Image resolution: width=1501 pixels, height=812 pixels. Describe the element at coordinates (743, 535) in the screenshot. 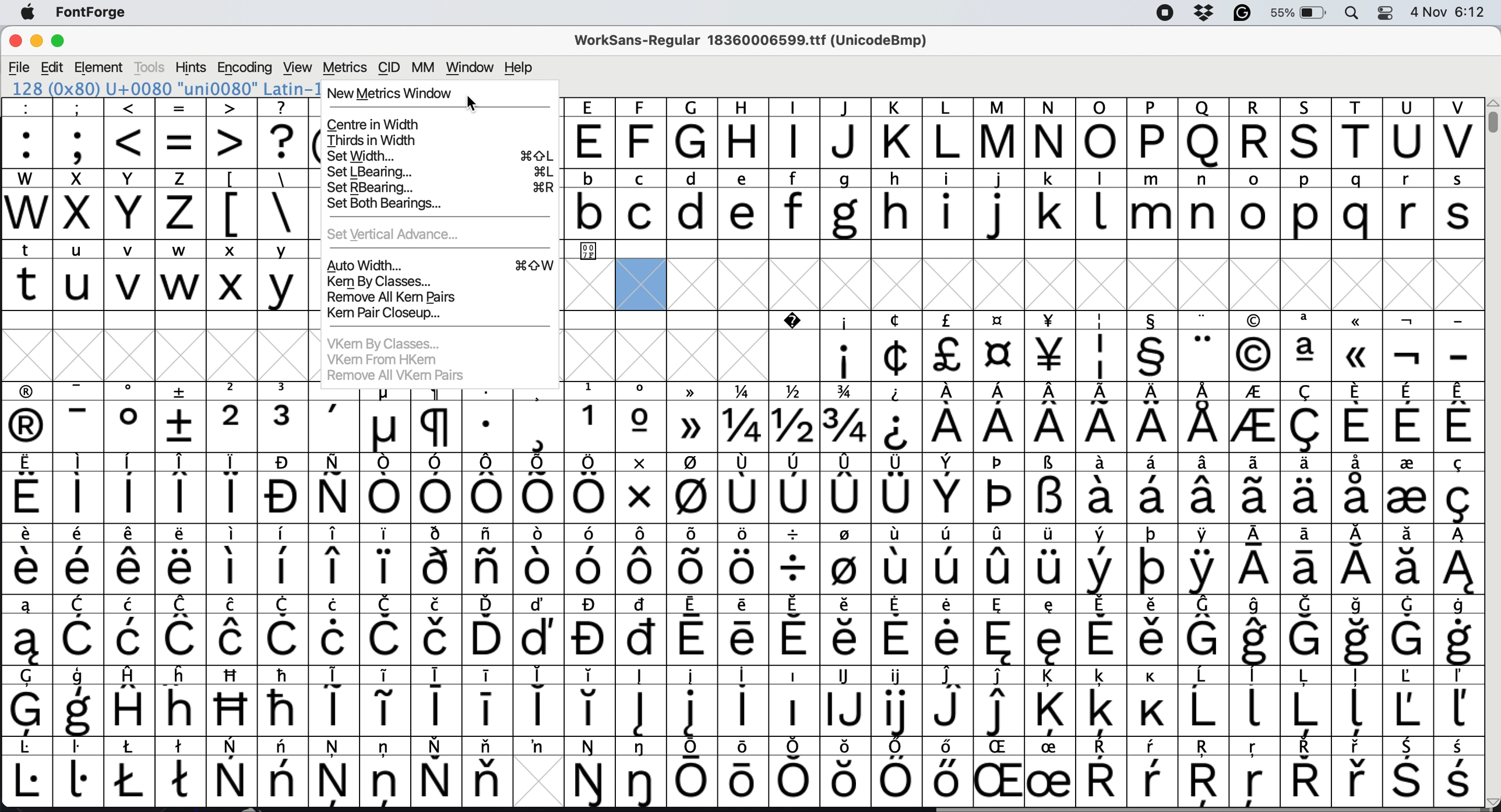

I see `special characters` at that location.